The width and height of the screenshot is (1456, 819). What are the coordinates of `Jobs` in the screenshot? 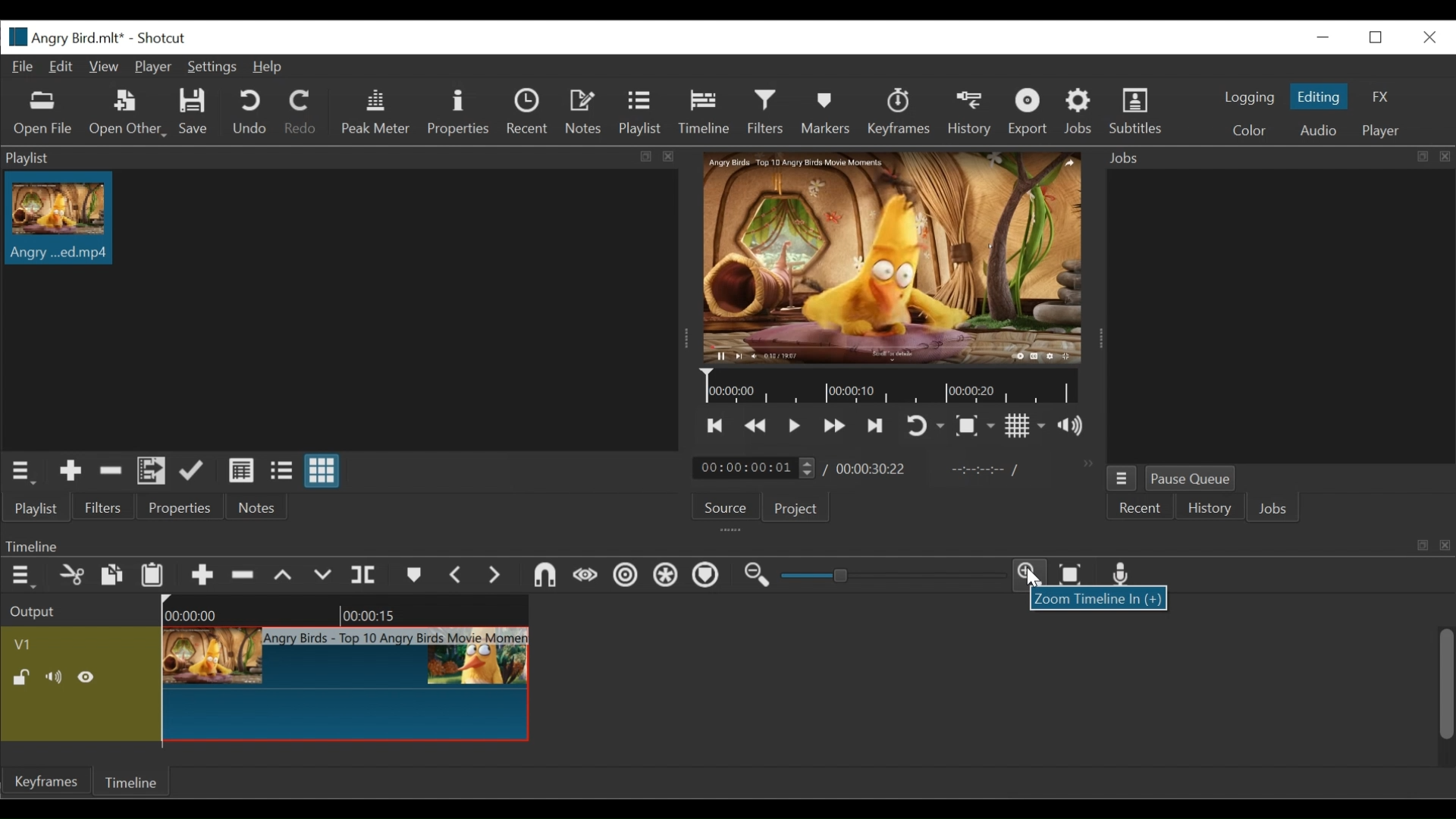 It's located at (1081, 111).